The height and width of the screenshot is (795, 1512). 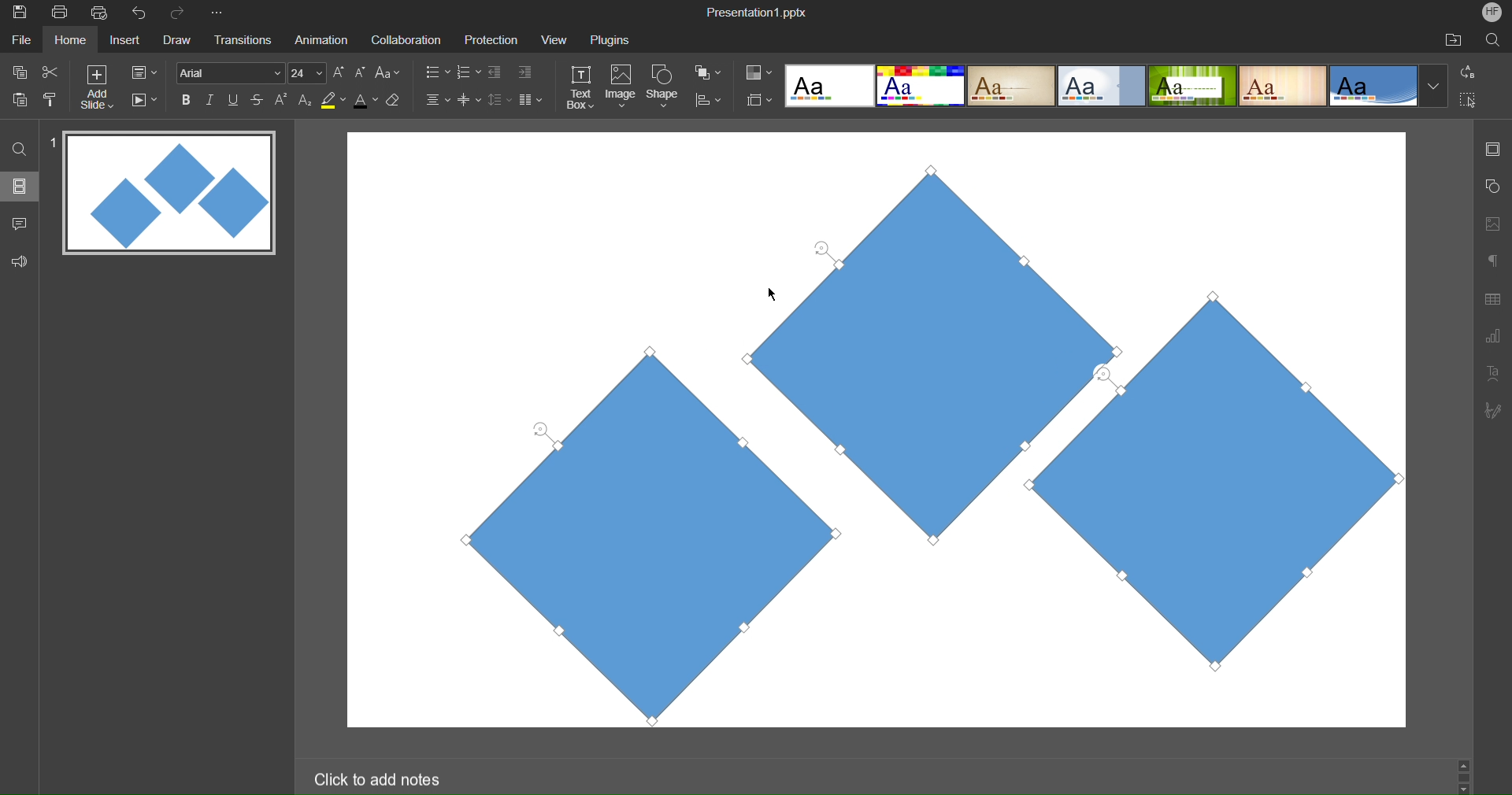 What do you see at coordinates (582, 87) in the screenshot?
I see `Text Box` at bounding box center [582, 87].